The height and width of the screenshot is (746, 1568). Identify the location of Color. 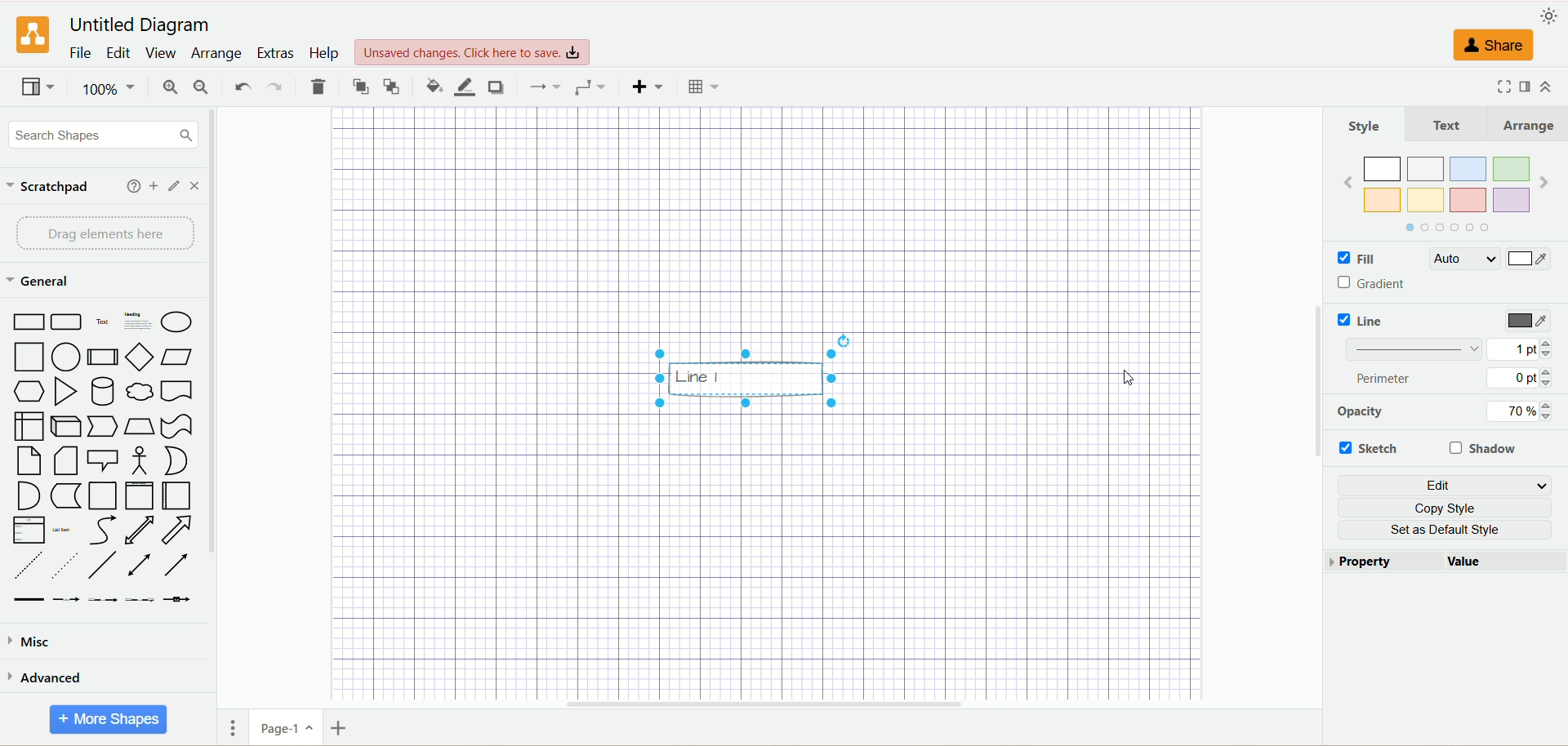
(1532, 262).